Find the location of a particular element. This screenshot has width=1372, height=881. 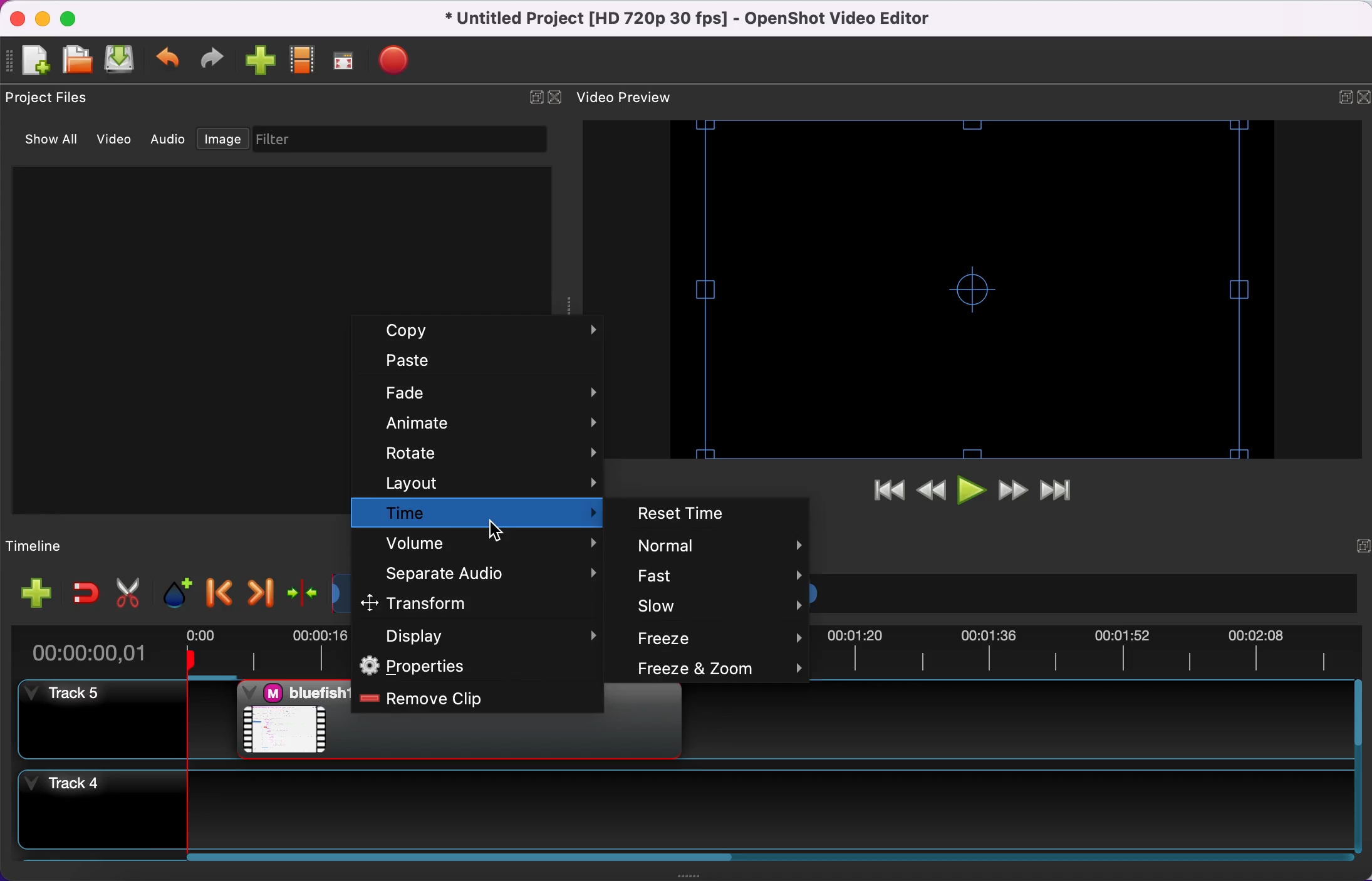

expand/hide is located at coordinates (536, 102).